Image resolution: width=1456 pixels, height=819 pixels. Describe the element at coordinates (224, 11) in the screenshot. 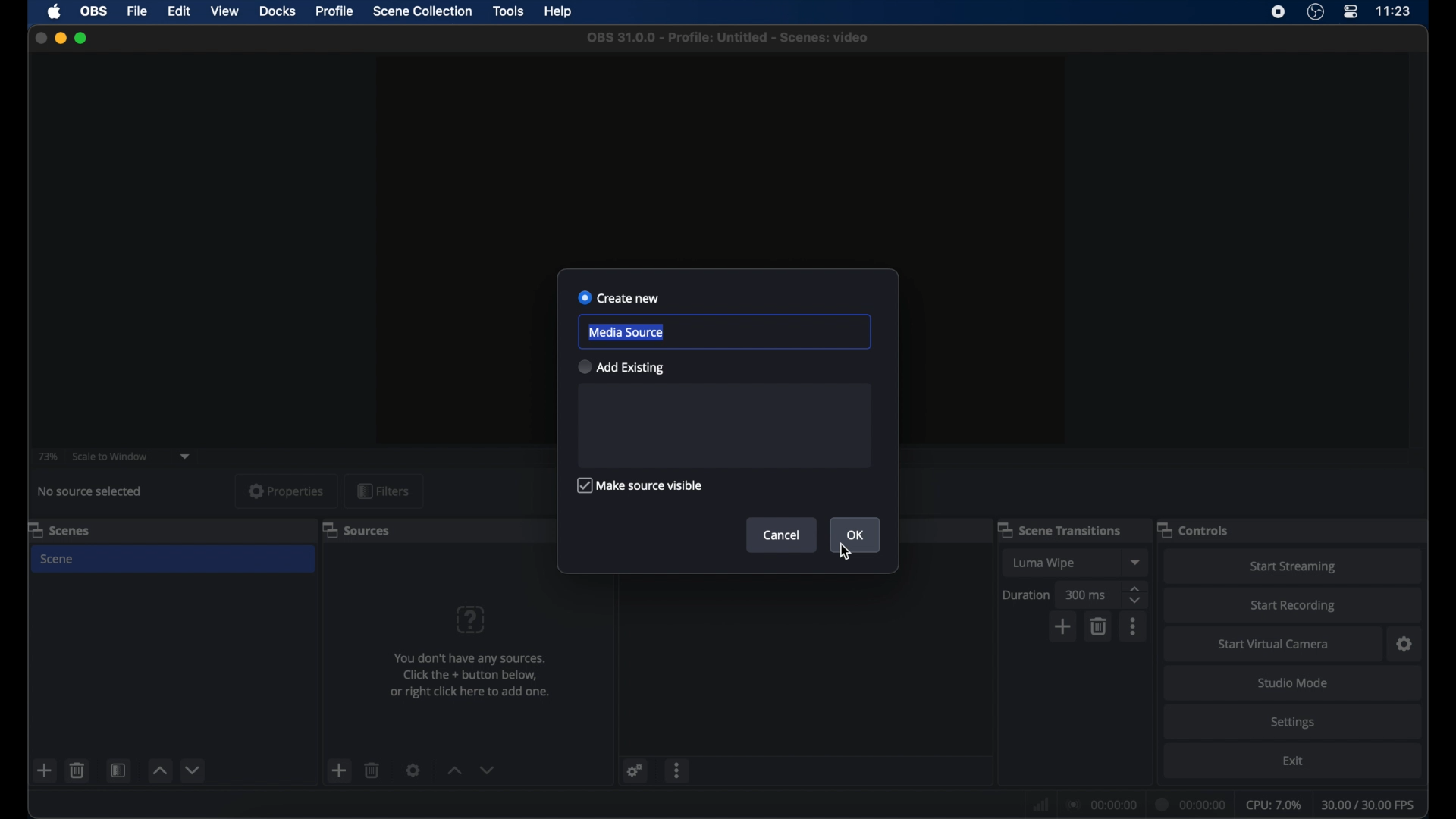

I see `view` at that location.